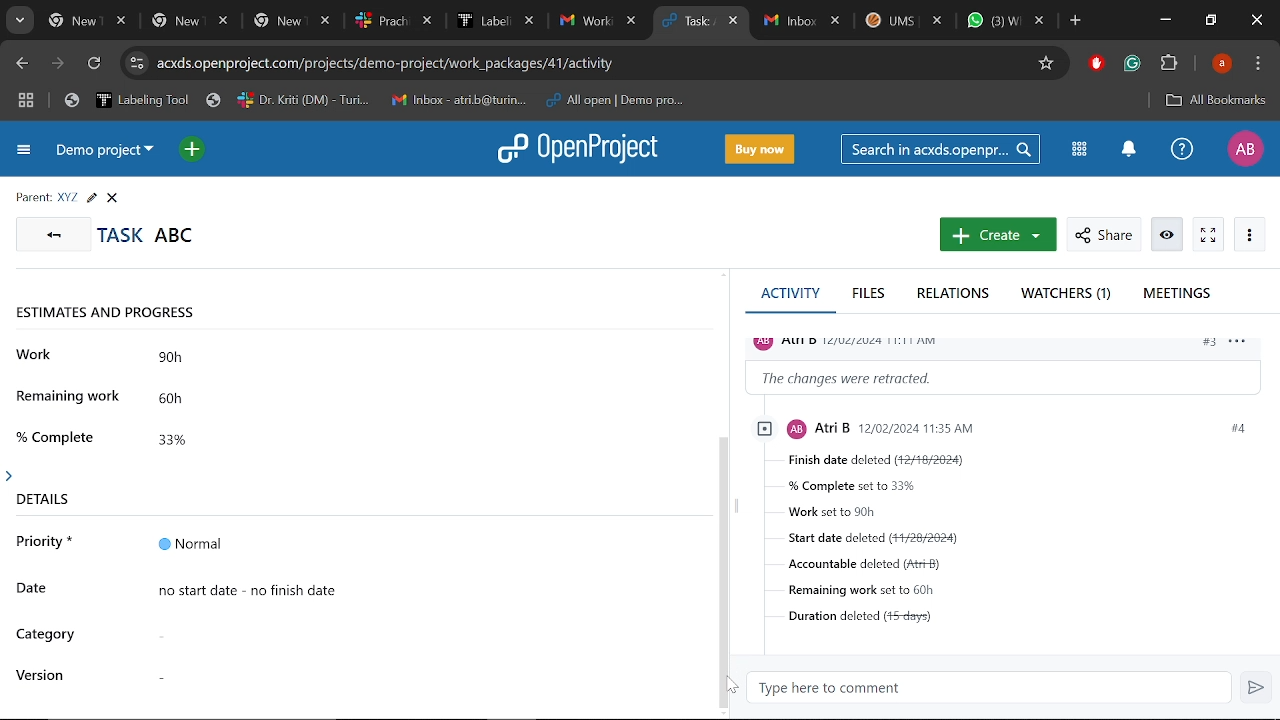 Image resolution: width=1280 pixels, height=720 pixels. I want to click on Help, so click(1179, 149).